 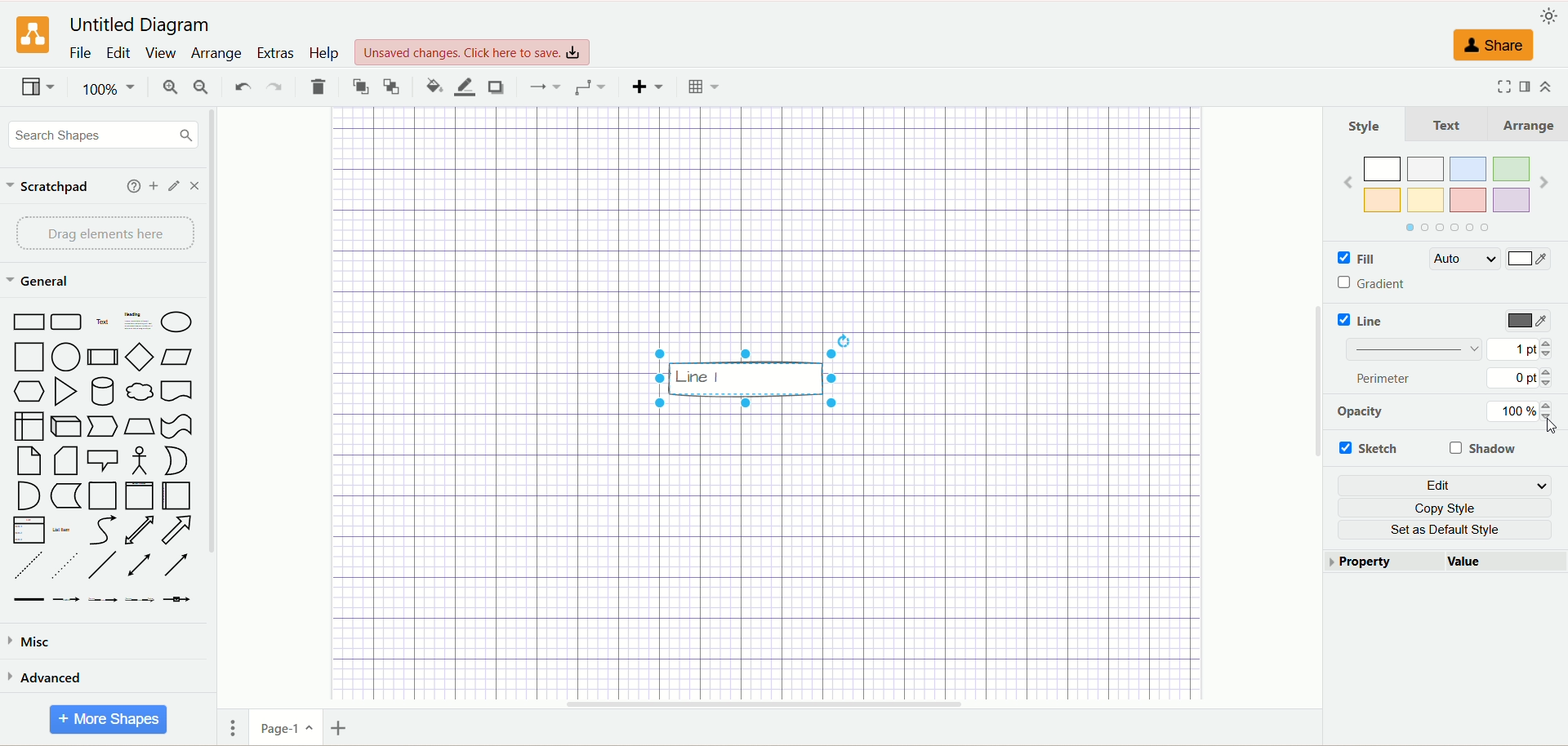 I want to click on Style, so click(x=1365, y=127).